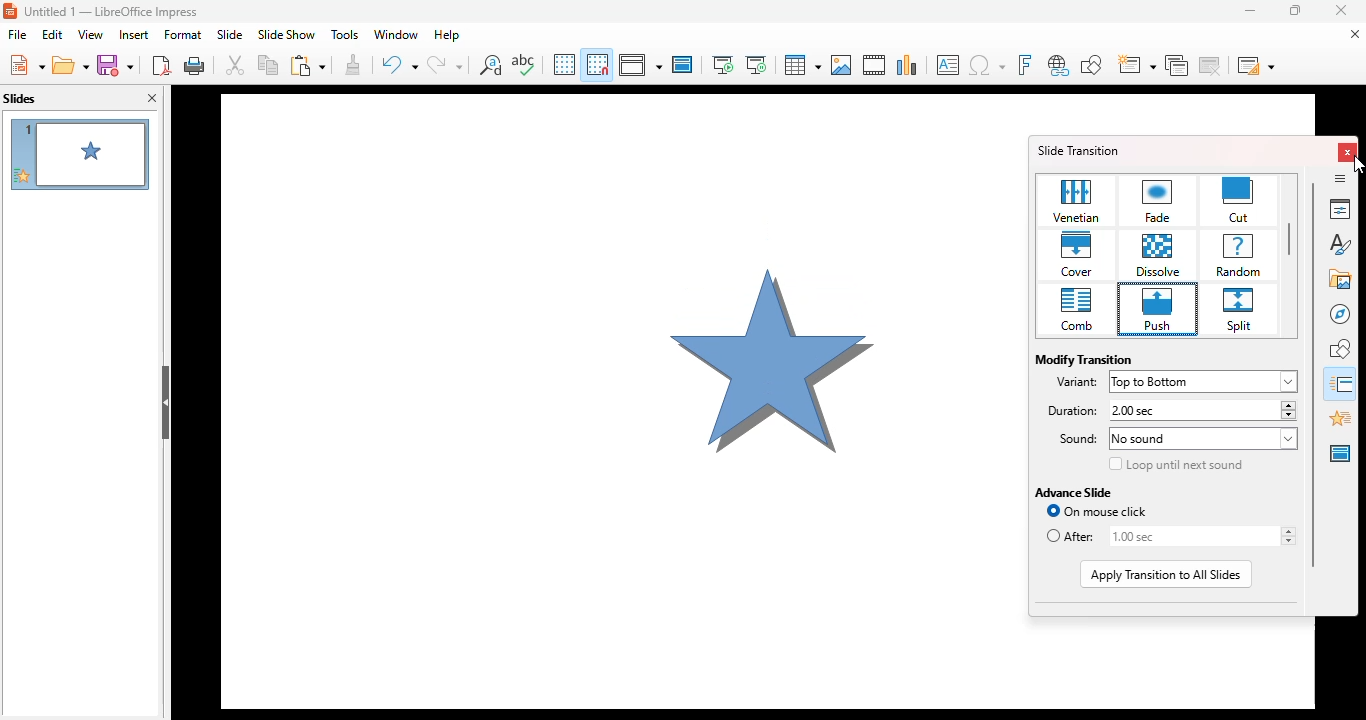 The image size is (1366, 720). I want to click on random, so click(1237, 256).